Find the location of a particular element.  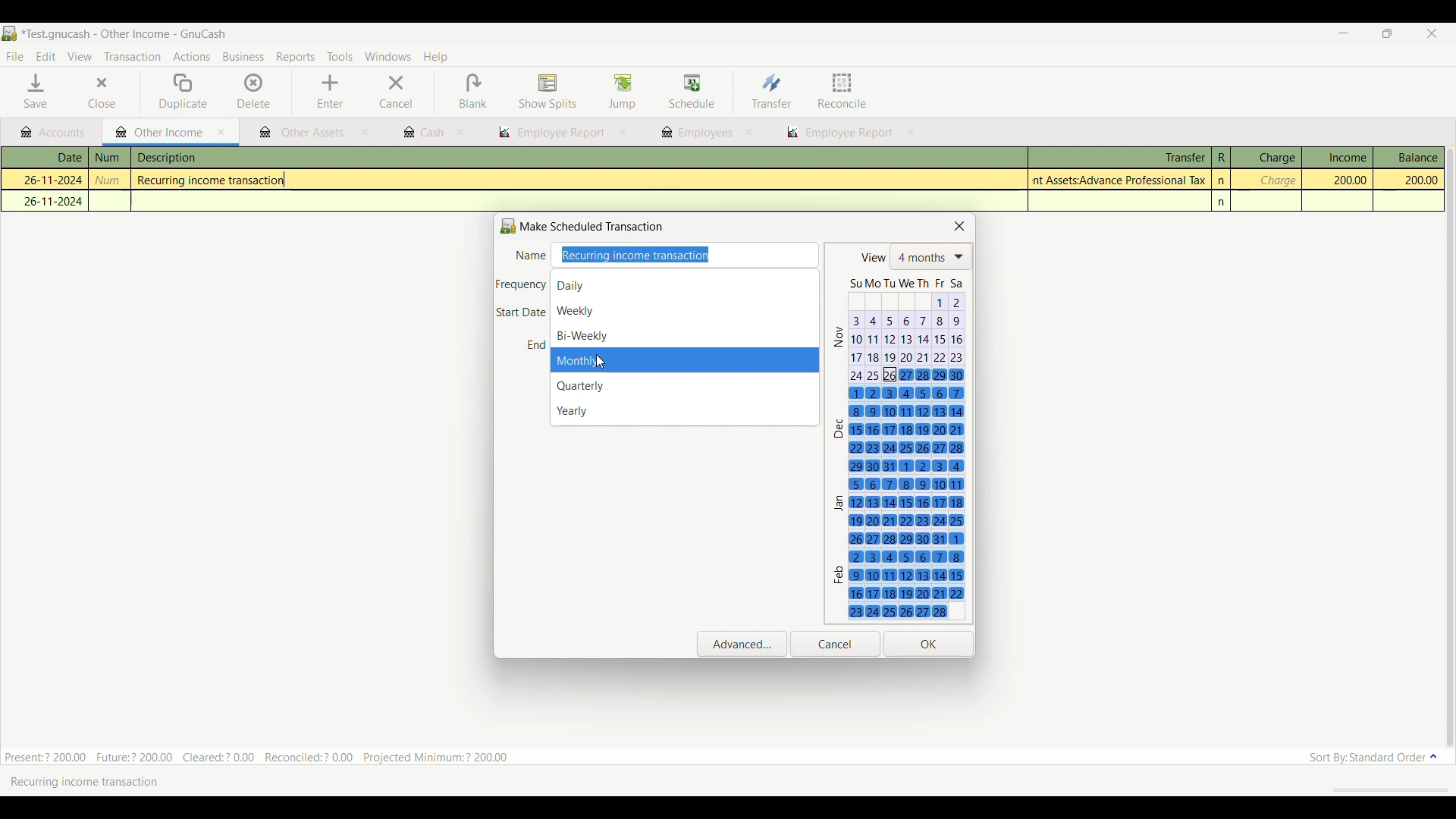

n is located at coordinates (1222, 180).